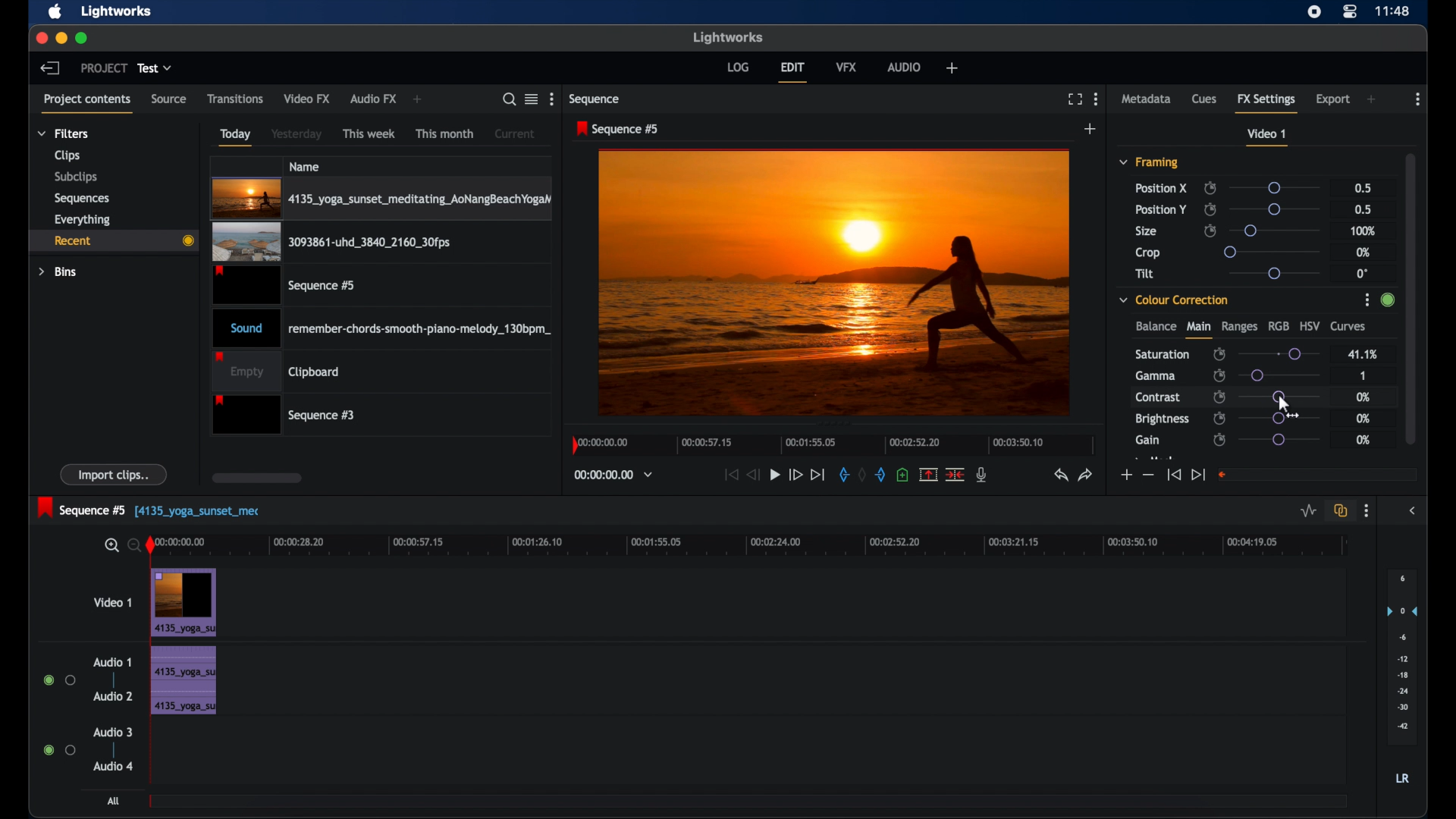 The height and width of the screenshot is (819, 1456). What do you see at coordinates (38, 38) in the screenshot?
I see `close` at bounding box center [38, 38].